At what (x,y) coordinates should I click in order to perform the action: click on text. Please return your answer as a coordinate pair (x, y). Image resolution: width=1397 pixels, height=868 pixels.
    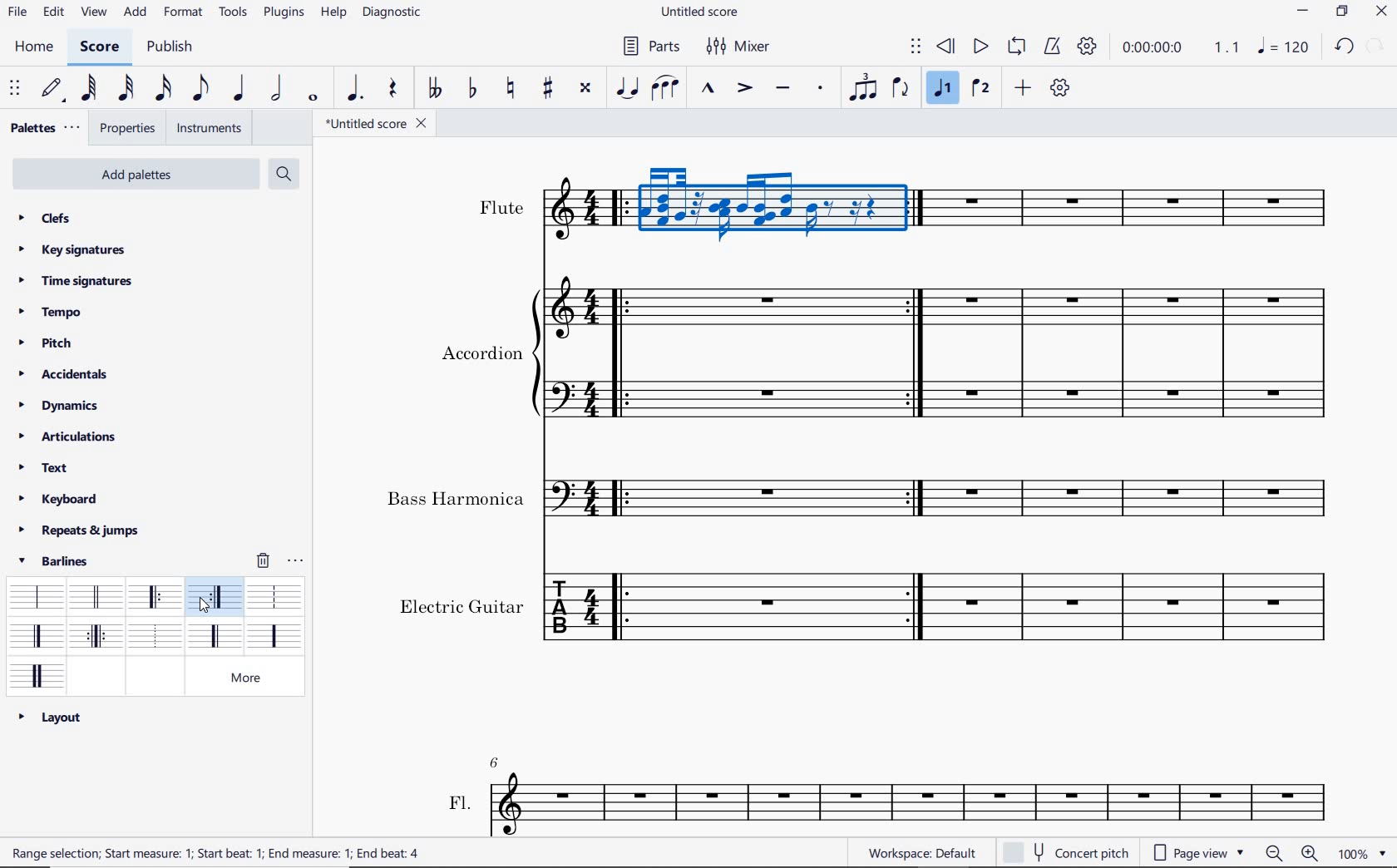
    Looking at the image, I should click on (220, 855).